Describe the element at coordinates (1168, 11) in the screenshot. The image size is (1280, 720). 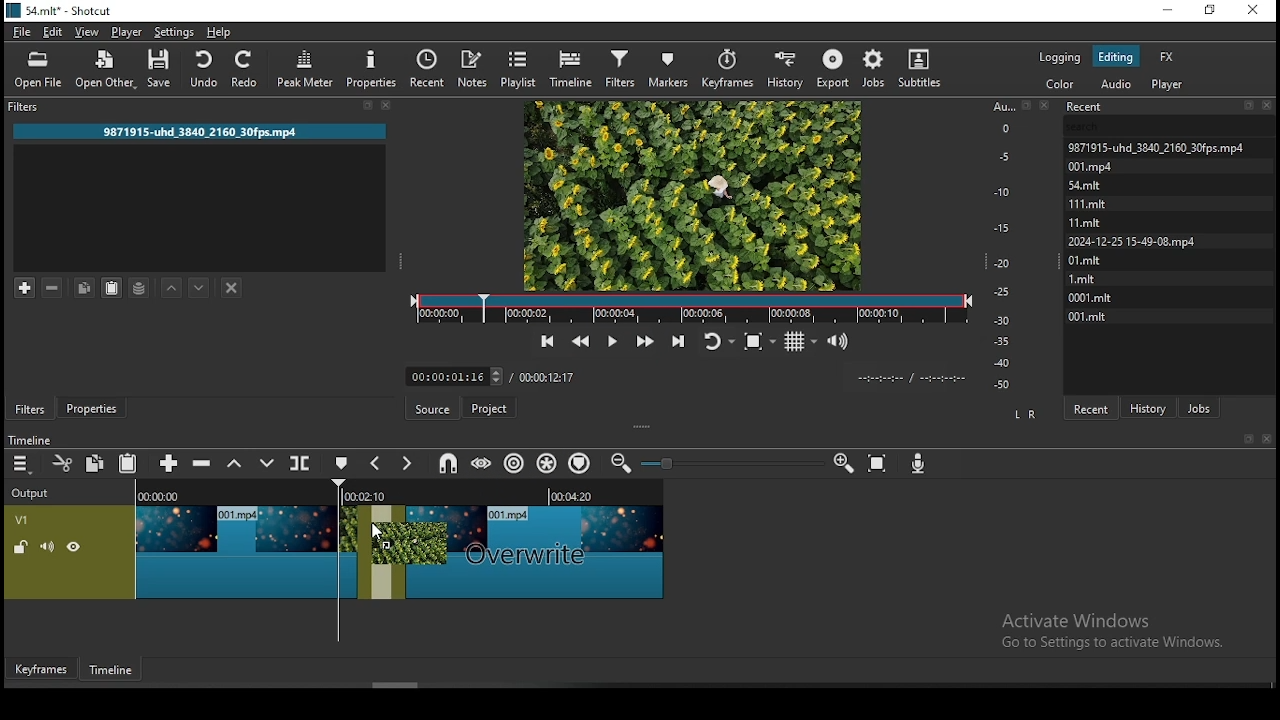
I see `minimize` at that location.